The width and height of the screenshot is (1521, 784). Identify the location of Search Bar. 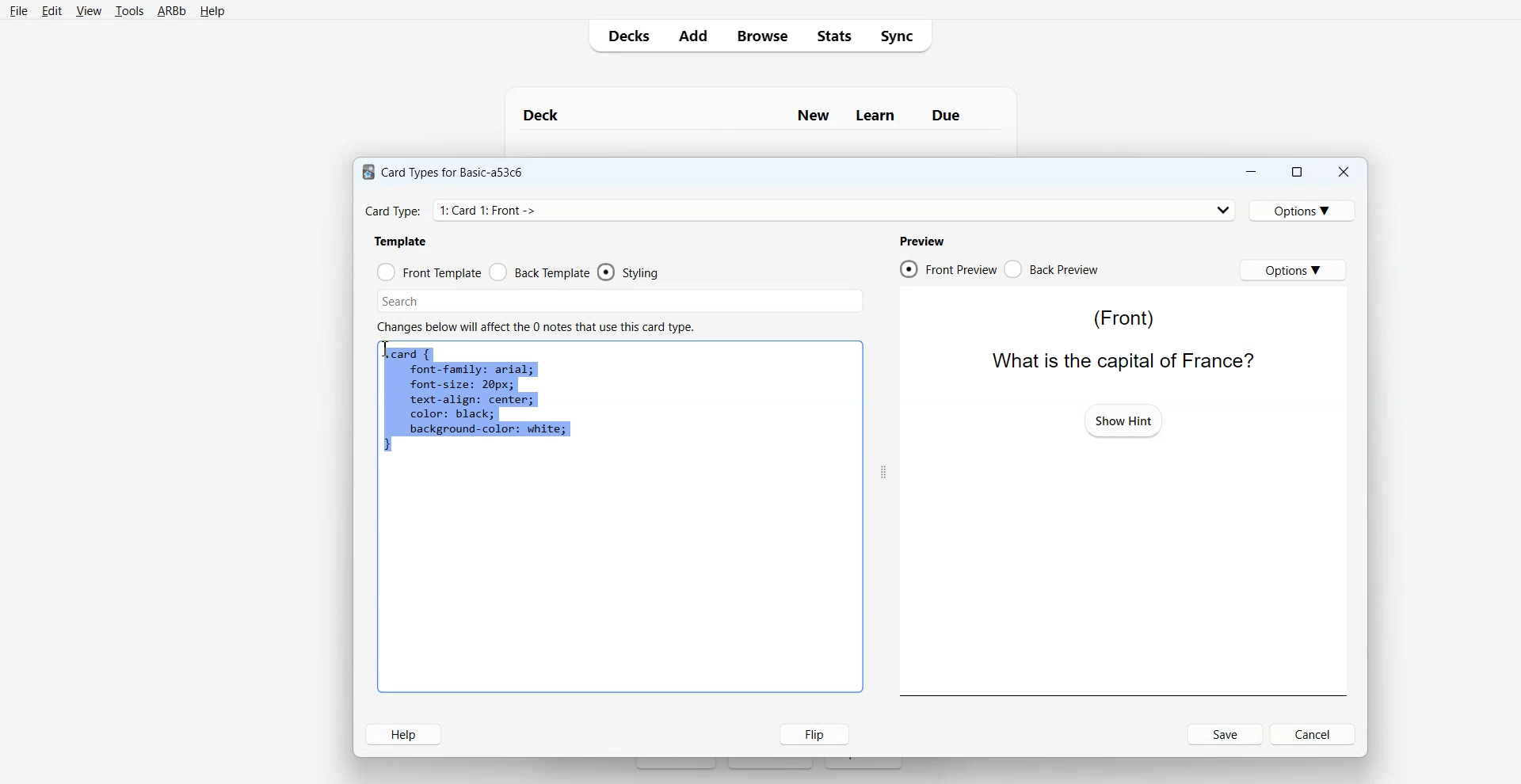
(620, 301).